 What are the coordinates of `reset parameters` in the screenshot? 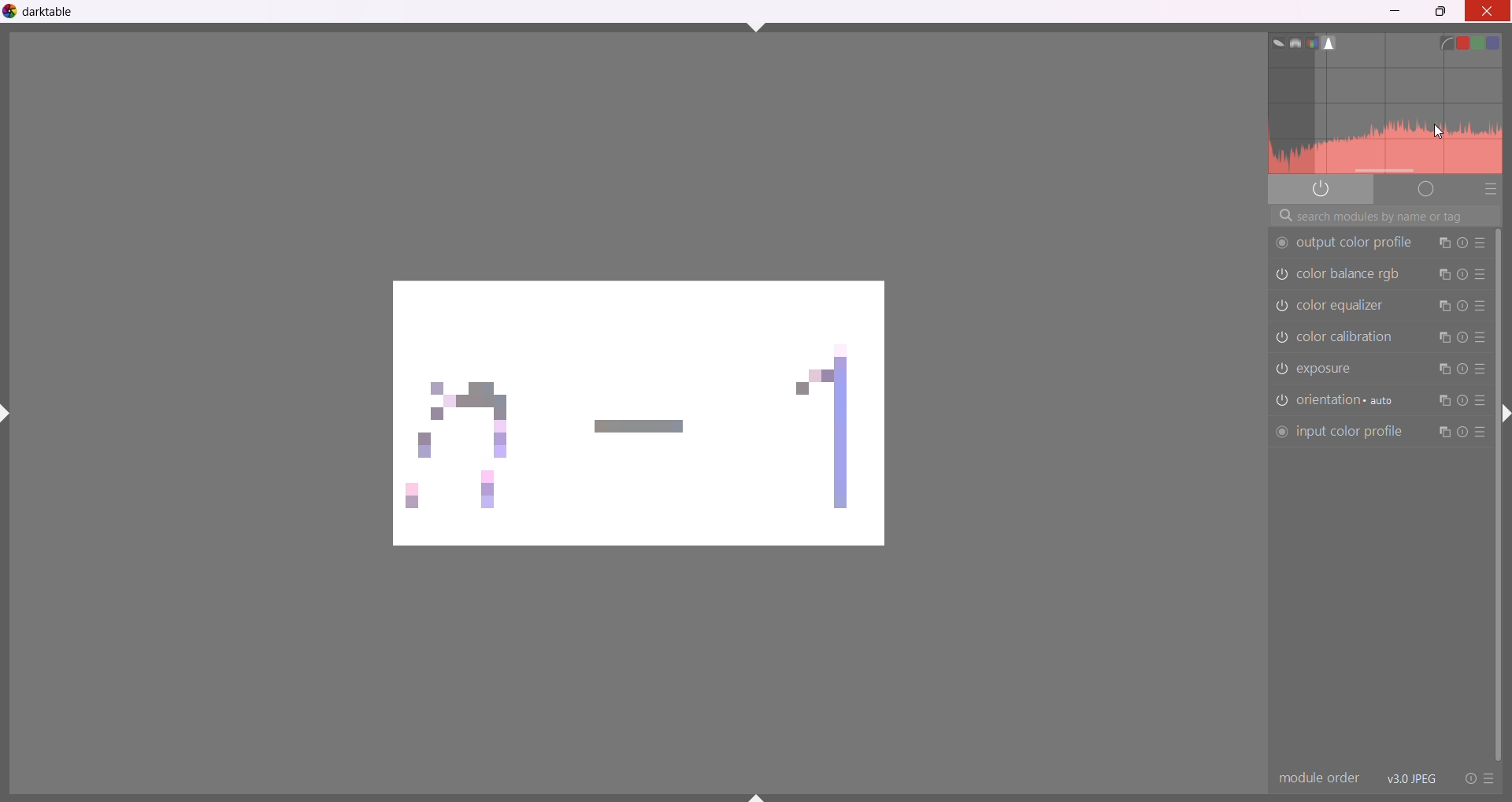 It's located at (1462, 243).